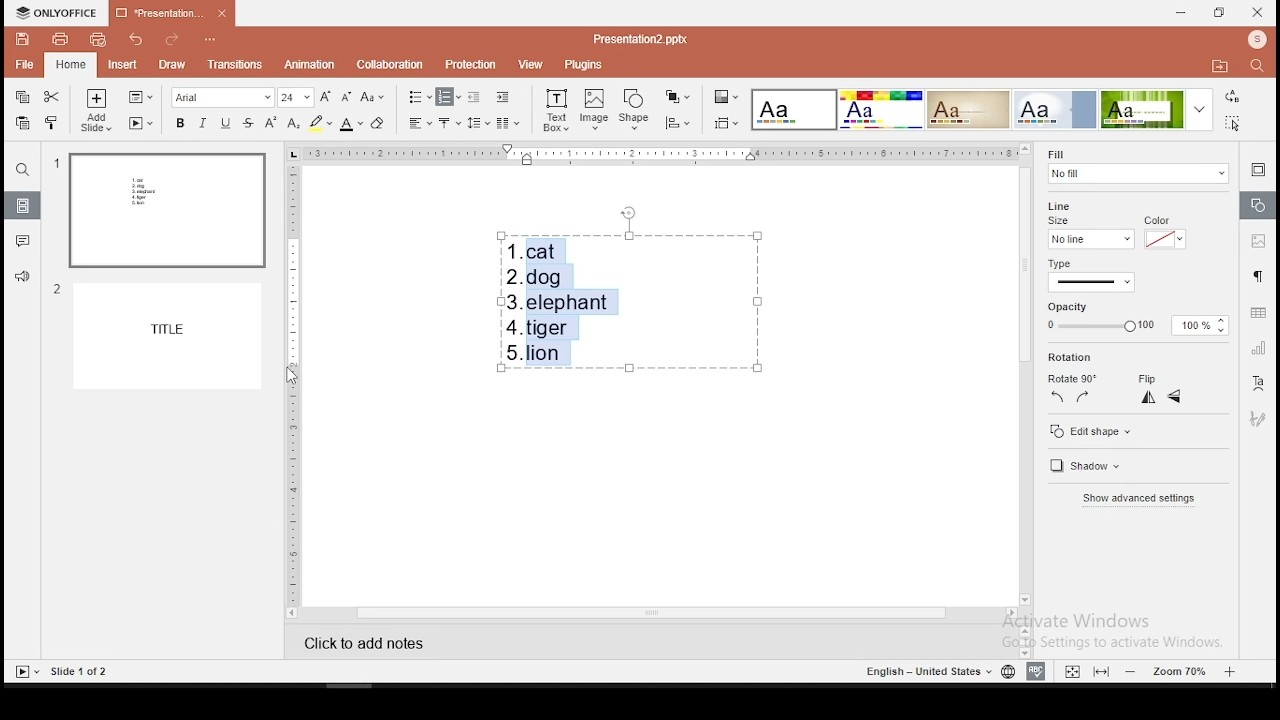 Image resolution: width=1280 pixels, height=720 pixels. I want to click on support and feedback, so click(21, 277).